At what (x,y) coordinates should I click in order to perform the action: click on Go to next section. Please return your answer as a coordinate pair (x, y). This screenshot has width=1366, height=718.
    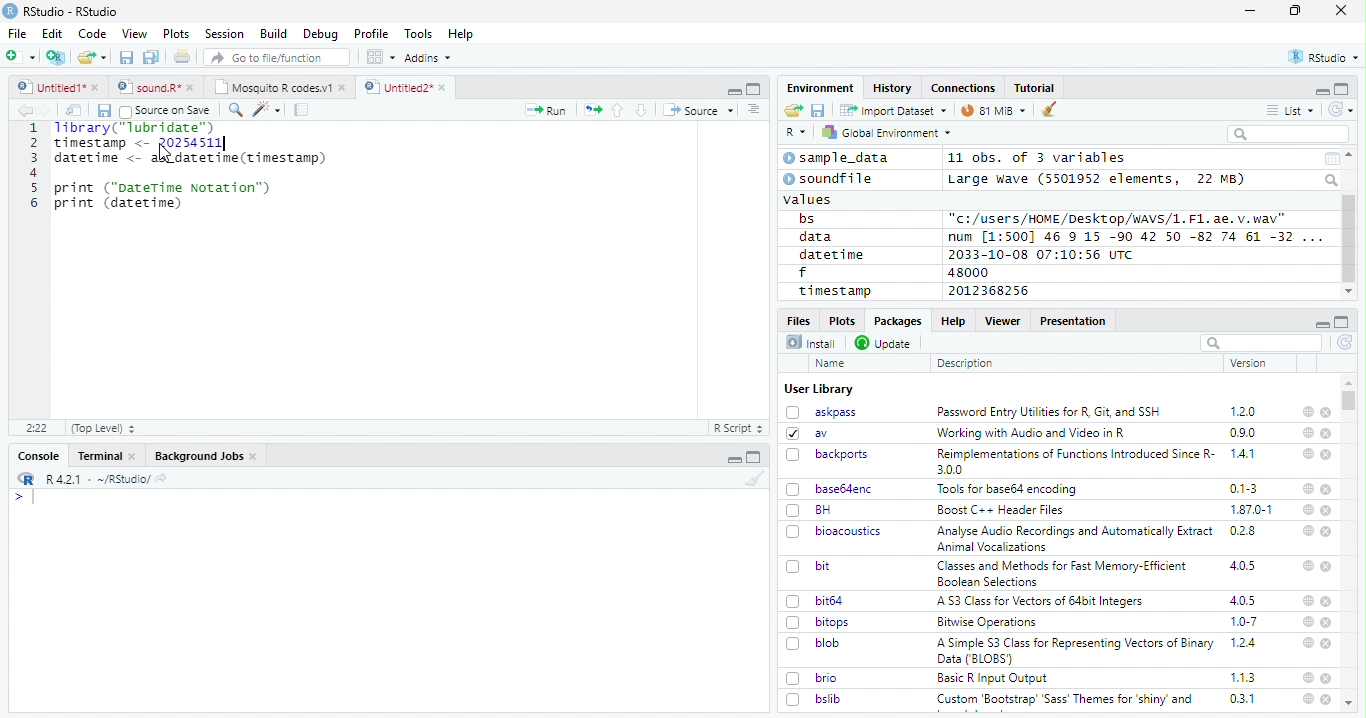
    Looking at the image, I should click on (644, 110).